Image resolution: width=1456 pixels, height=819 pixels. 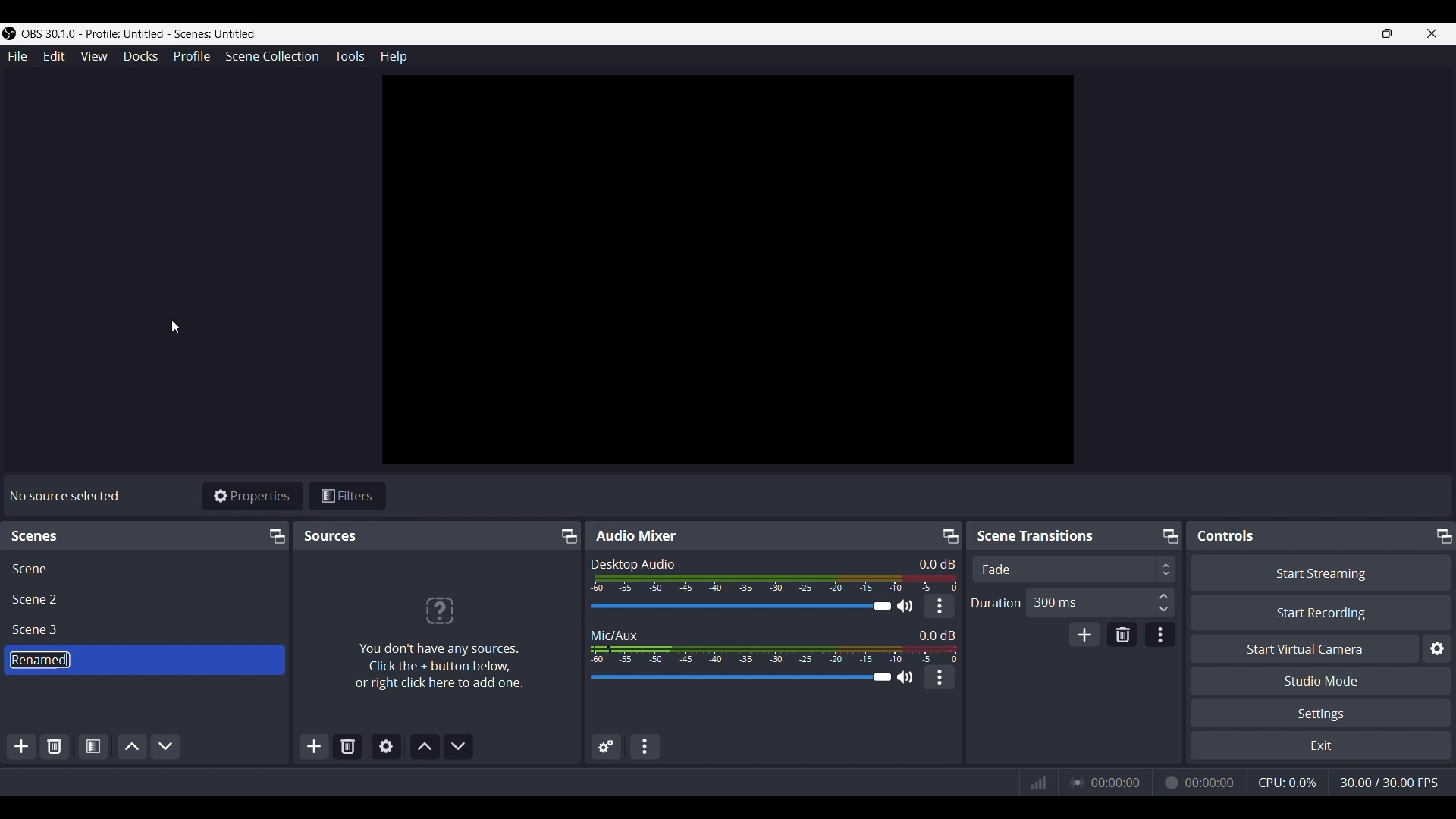 I want to click on Controls, so click(x=1229, y=535).